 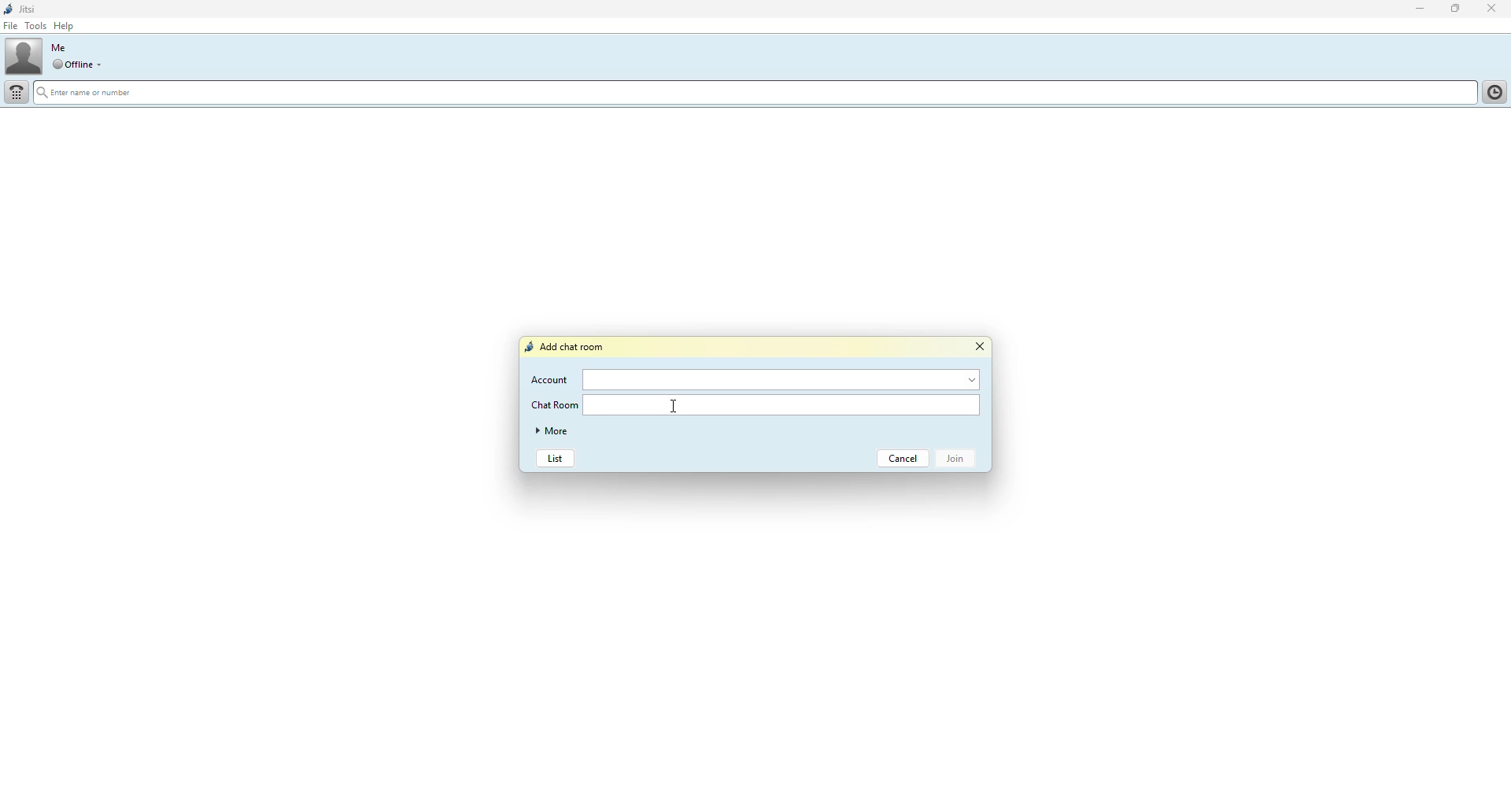 What do you see at coordinates (960, 459) in the screenshot?
I see `join` at bounding box center [960, 459].